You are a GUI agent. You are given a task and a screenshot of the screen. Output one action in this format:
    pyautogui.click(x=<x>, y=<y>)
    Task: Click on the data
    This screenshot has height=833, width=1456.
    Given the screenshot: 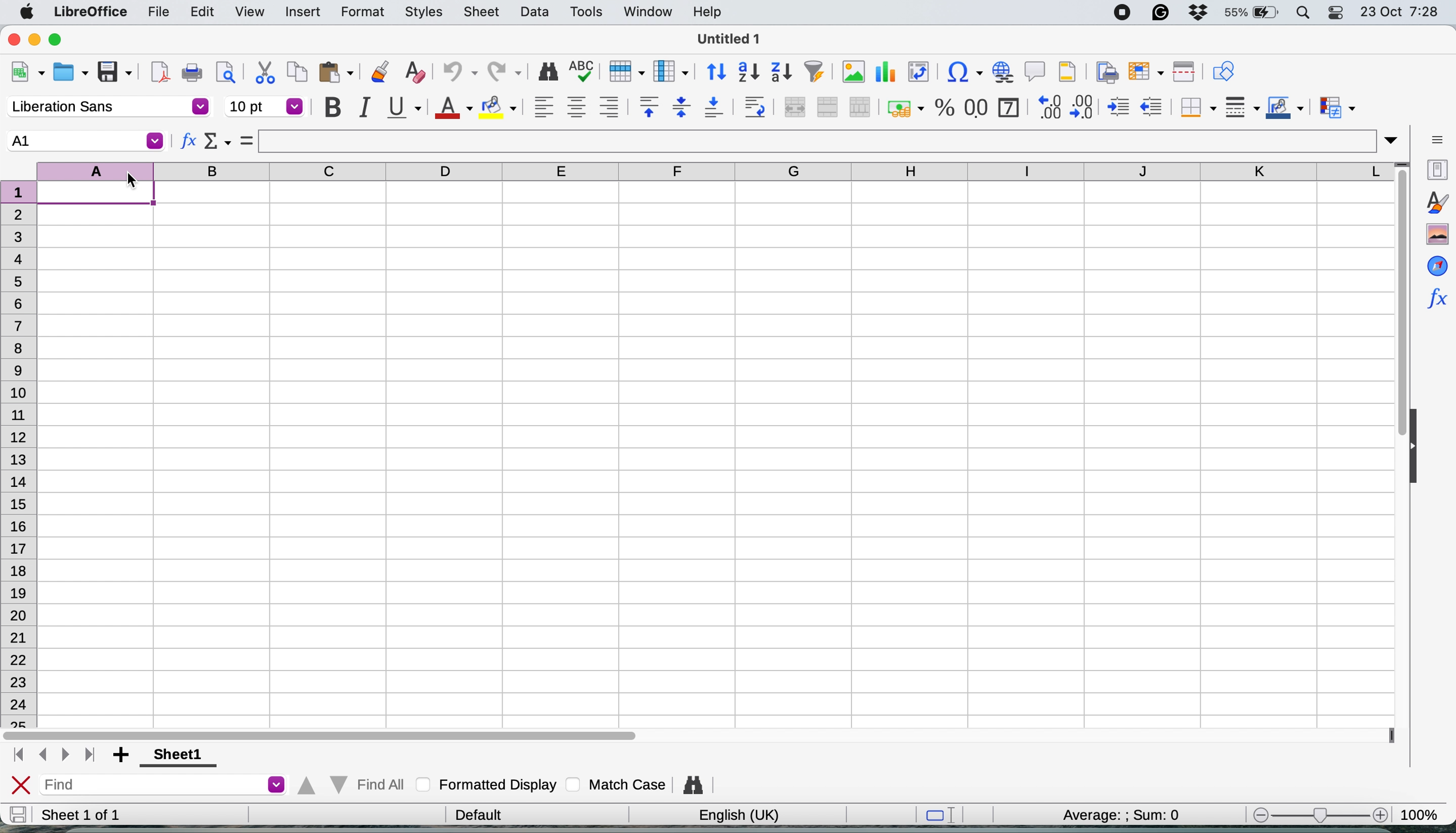 What is the action you would take?
    pyautogui.click(x=535, y=14)
    